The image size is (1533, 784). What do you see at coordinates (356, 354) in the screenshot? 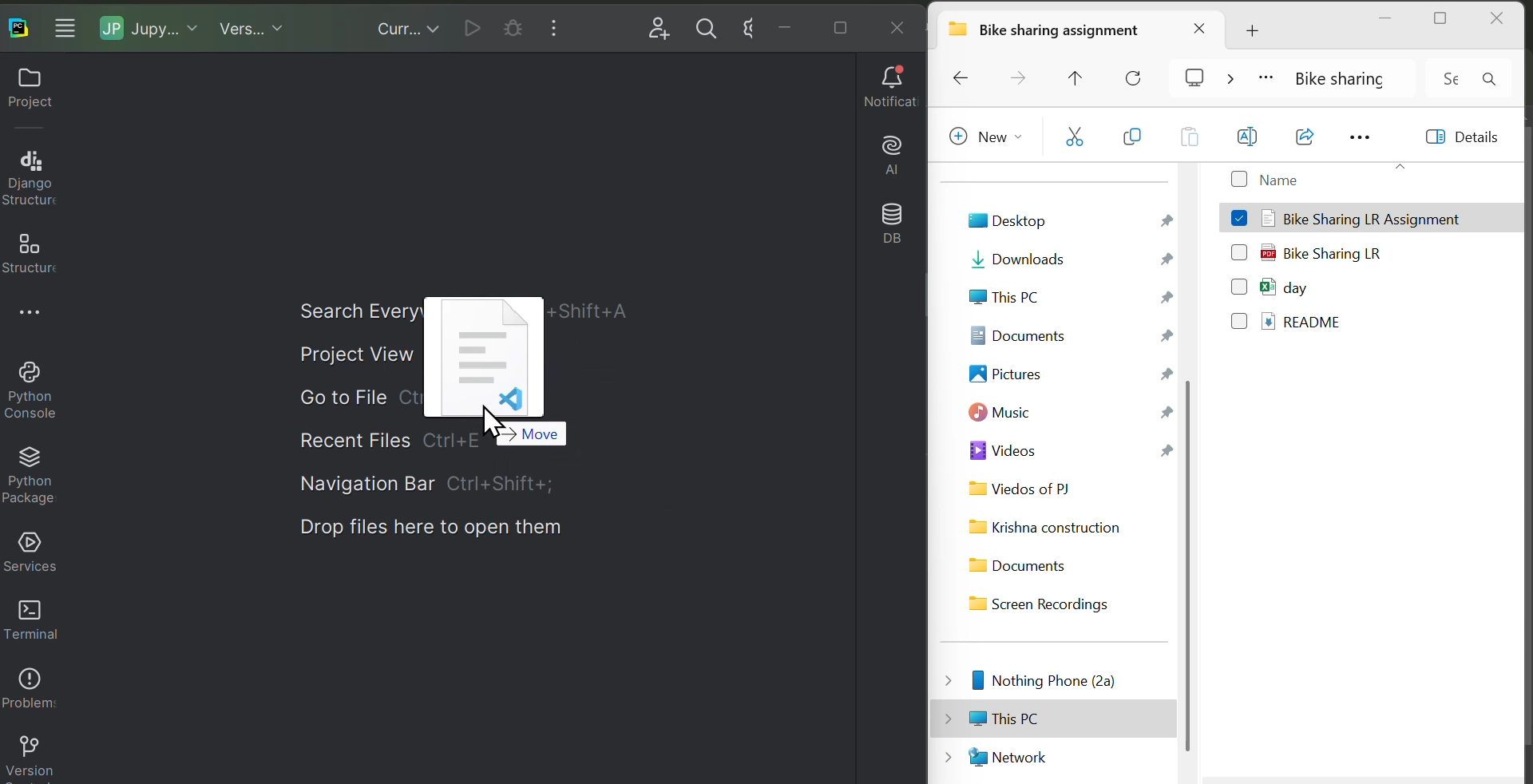
I see `Project view` at bounding box center [356, 354].